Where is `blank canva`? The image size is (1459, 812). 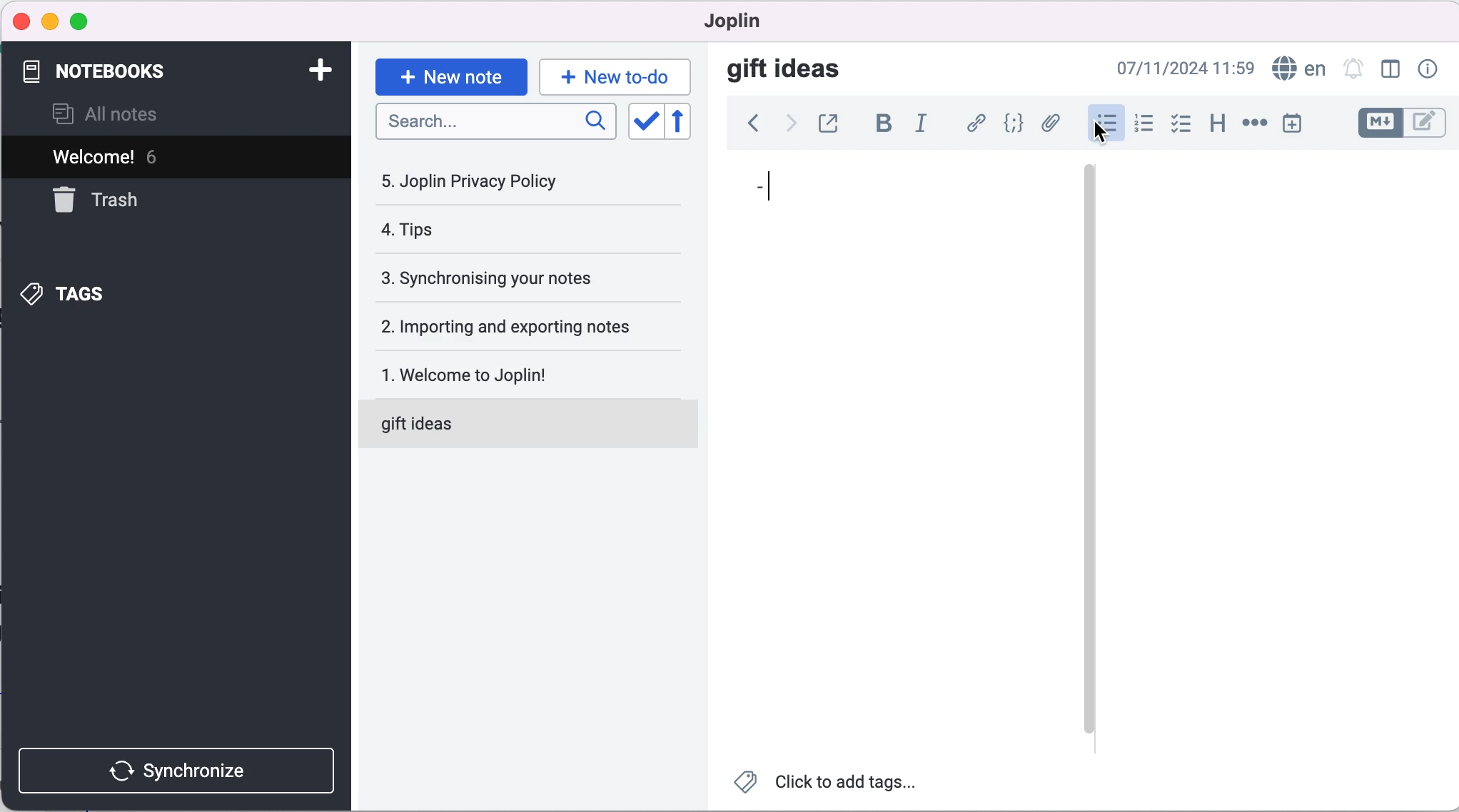 blank canva is located at coordinates (1248, 448).